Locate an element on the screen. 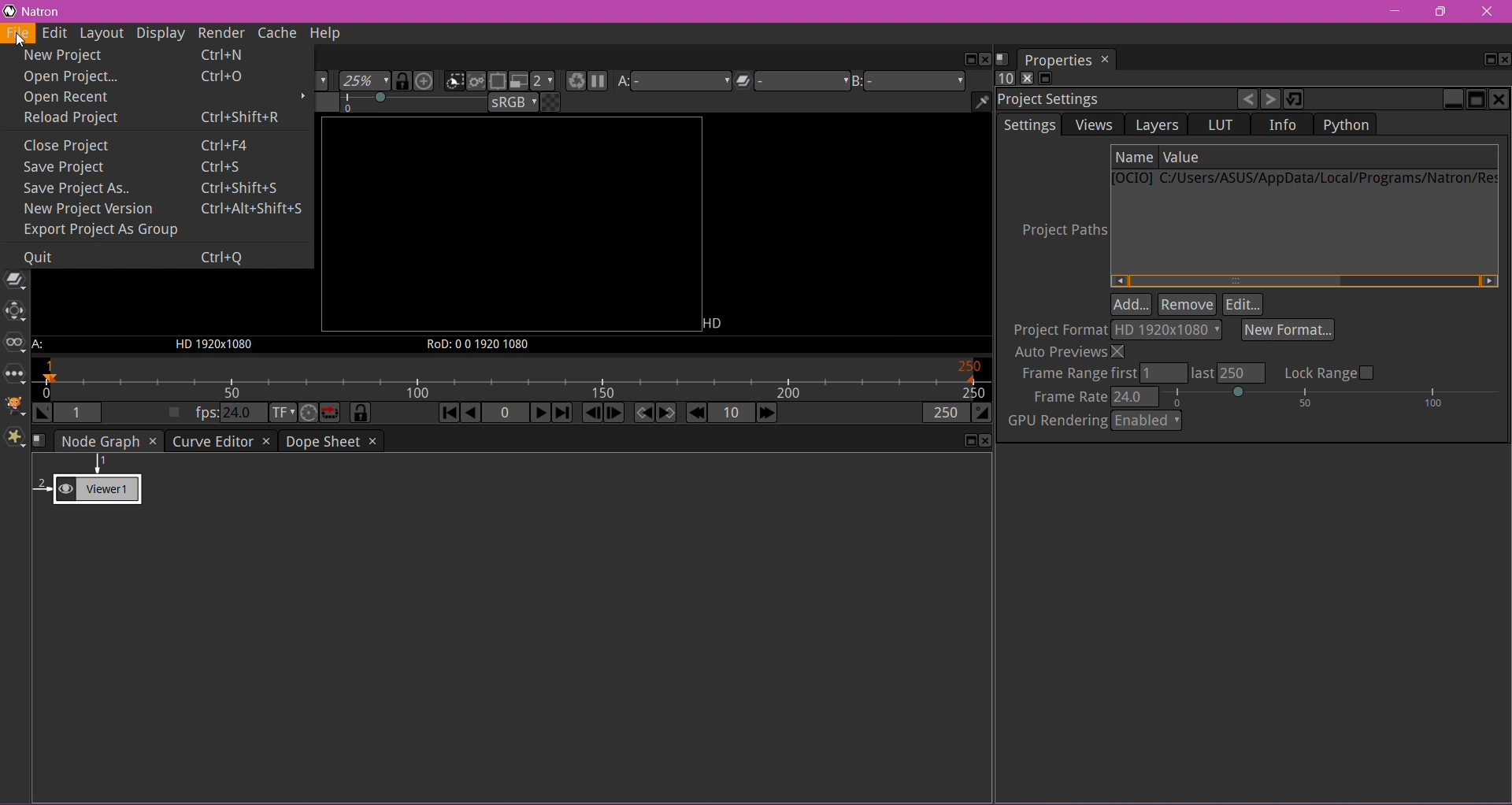 The width and height of the screenshot is (1512, 805). Float Pane is located at coordinates (1484, 60).